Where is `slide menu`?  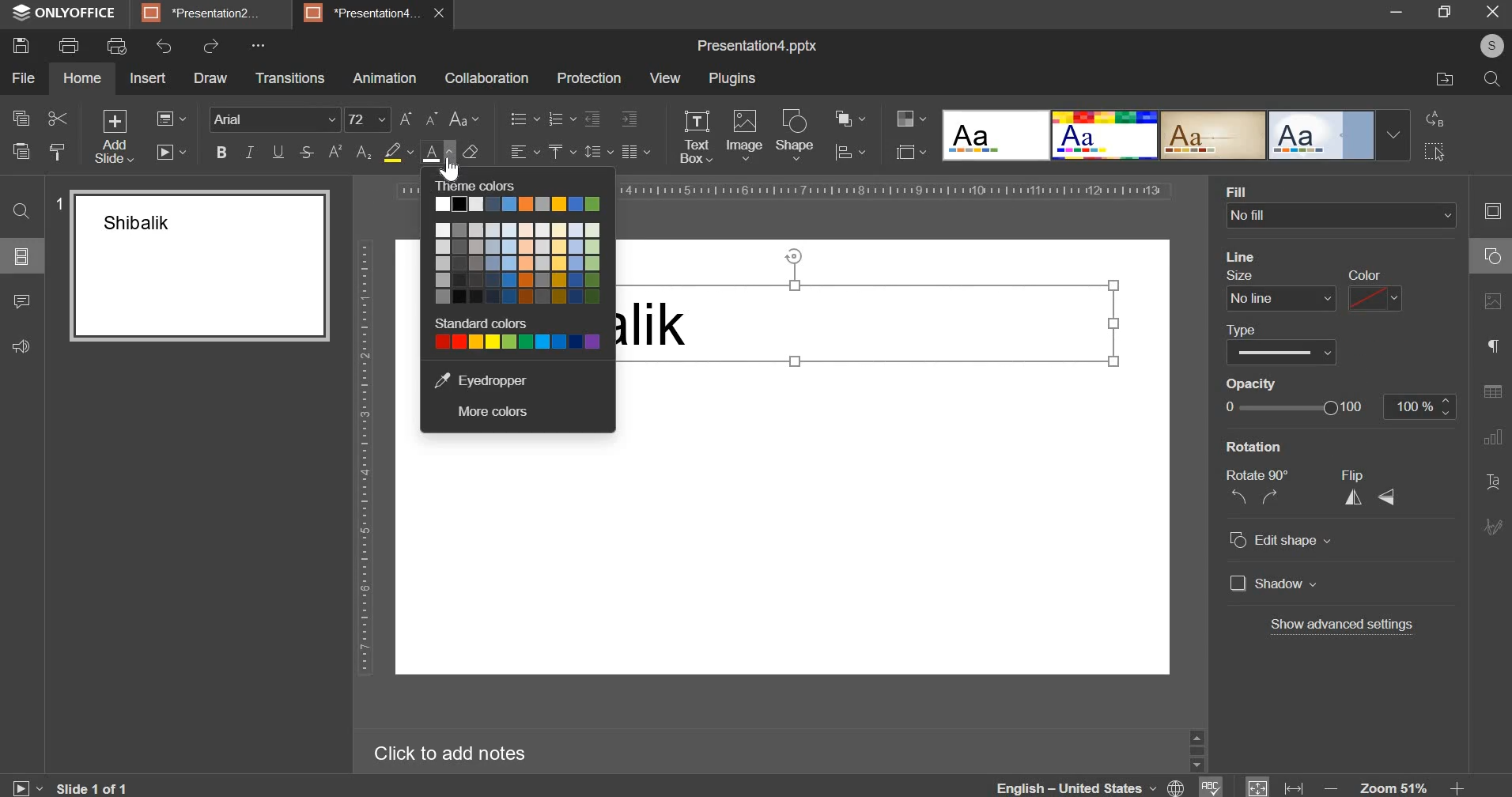
slide menu is located at coordinates (21, 256).